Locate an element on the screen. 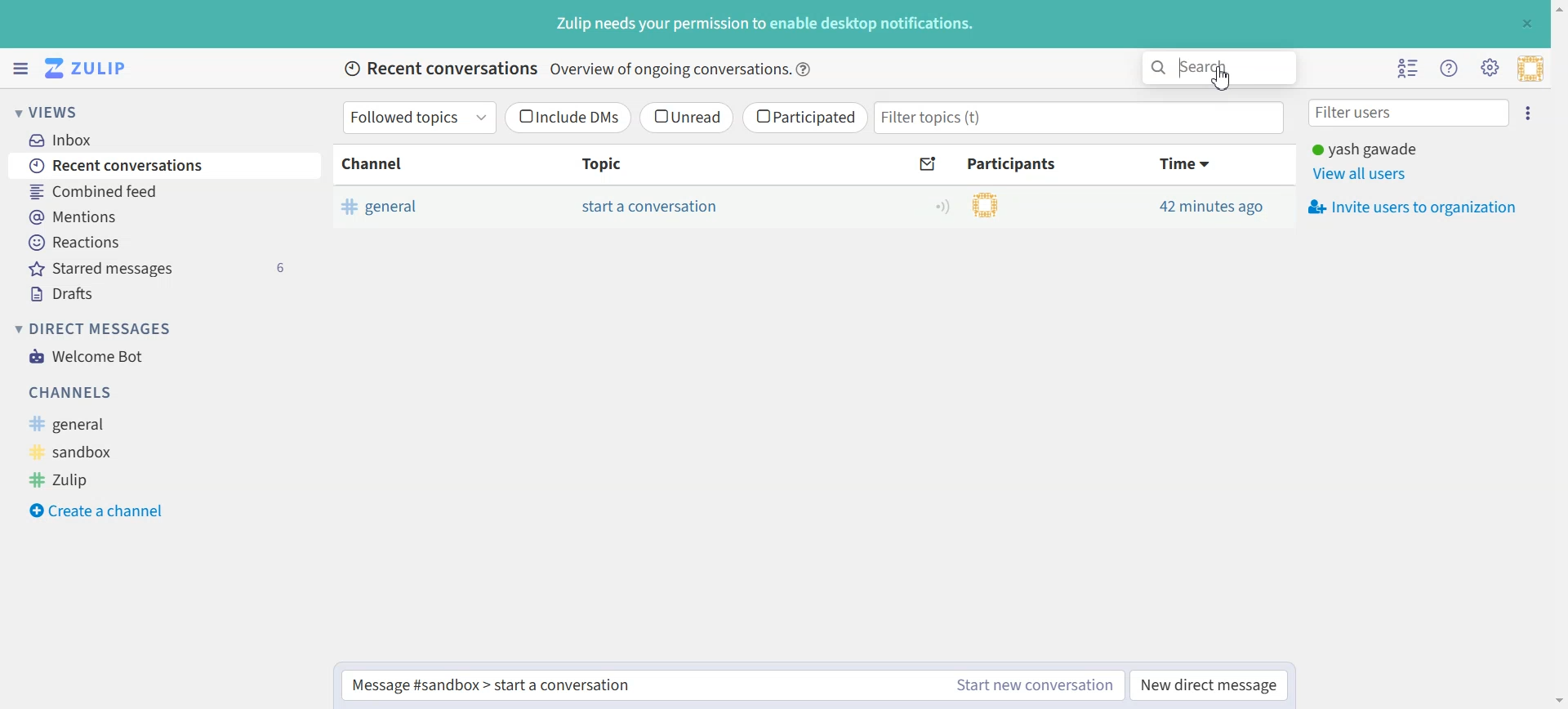 This screenshot has width=1568, height=709. Channel is located at coordinates (422, 164).